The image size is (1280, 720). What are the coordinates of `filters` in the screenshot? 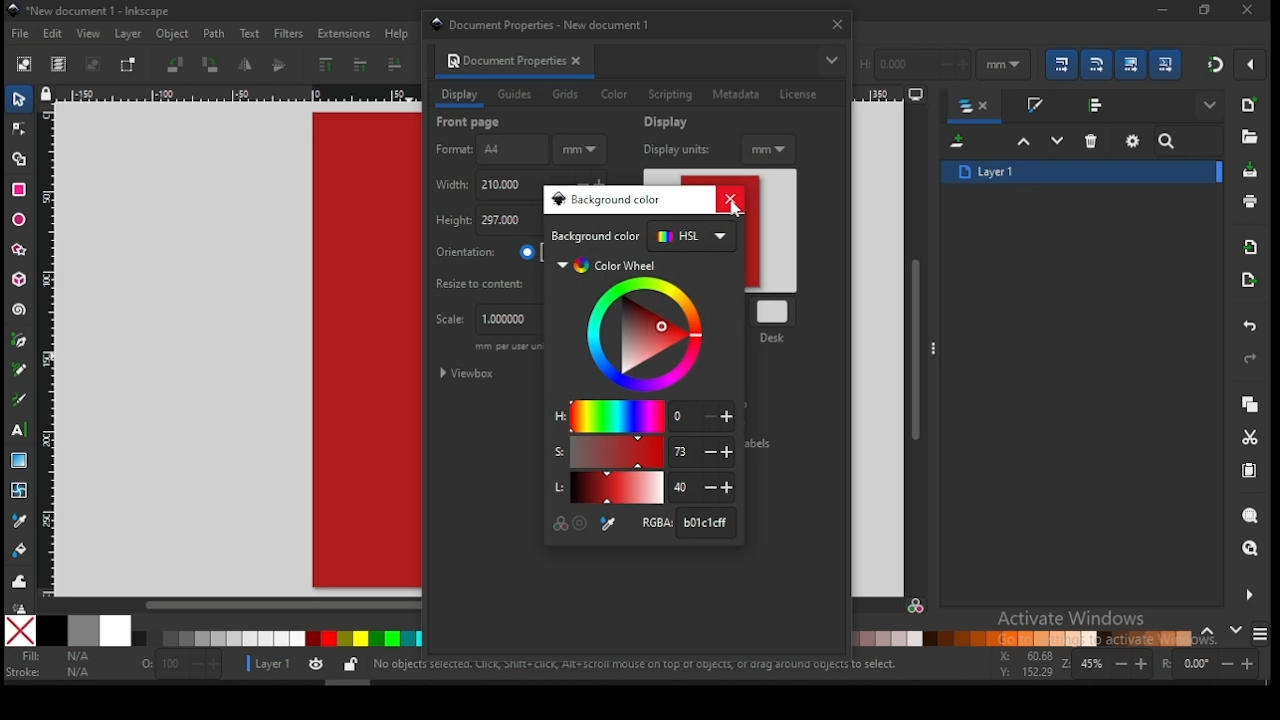 It's located at (287, 32).